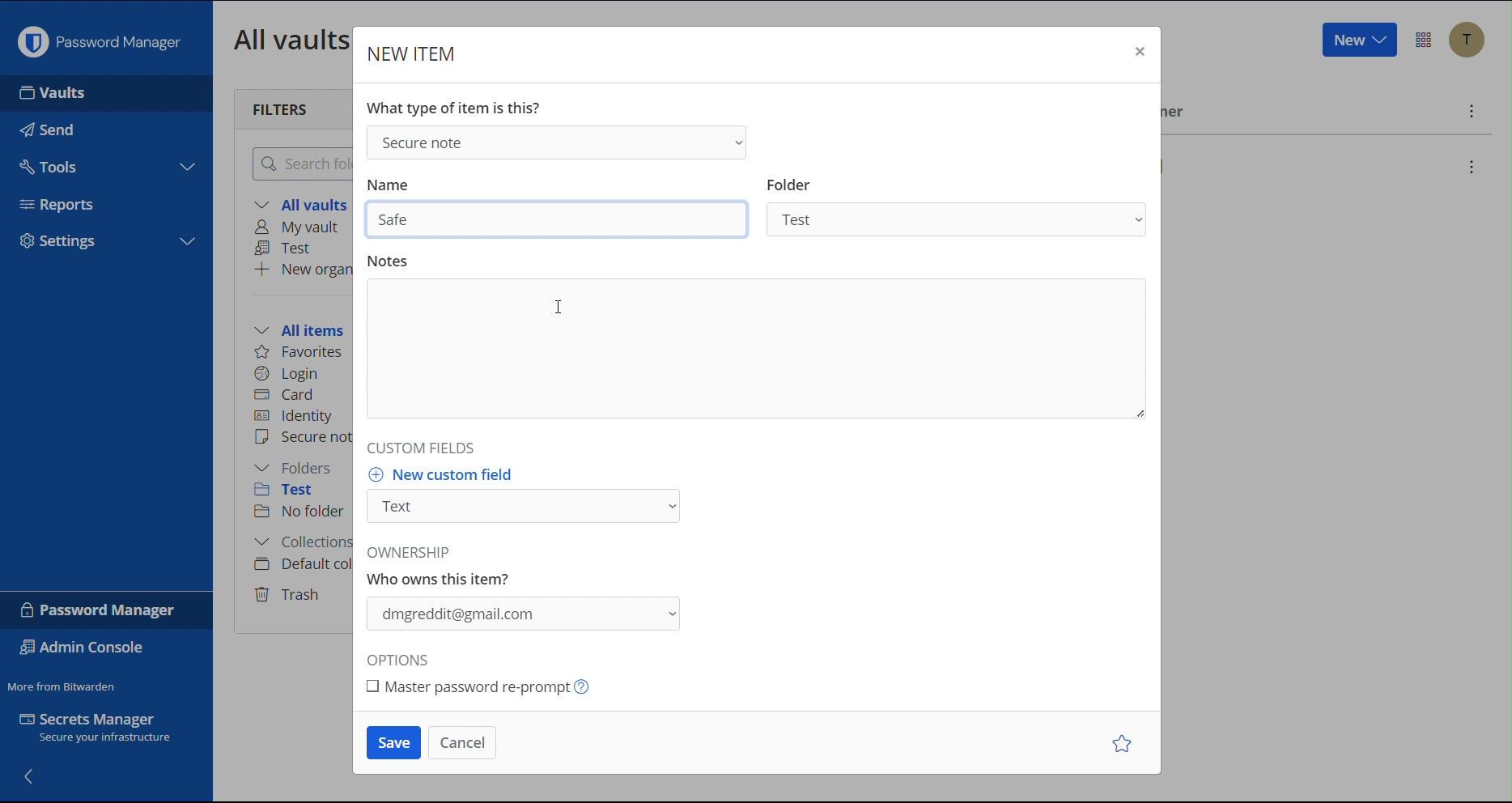 This screenshot has width=1512, height=803. Describe the element at coordinates (287, 39) in the screenshot. I see `All Vaults` at that location.